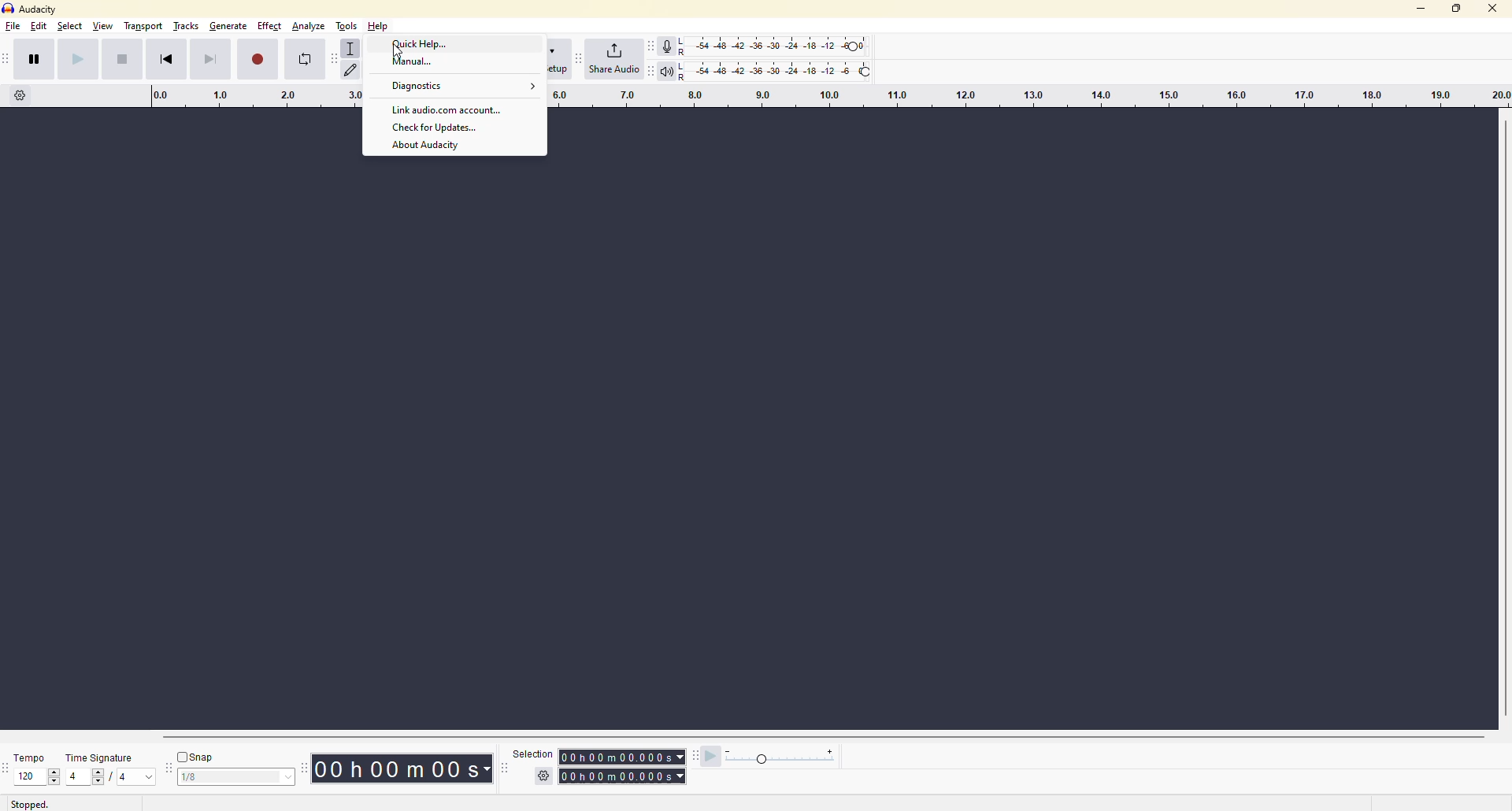 The image size is (1512, 811). I want to click on record, so click(261, 59).